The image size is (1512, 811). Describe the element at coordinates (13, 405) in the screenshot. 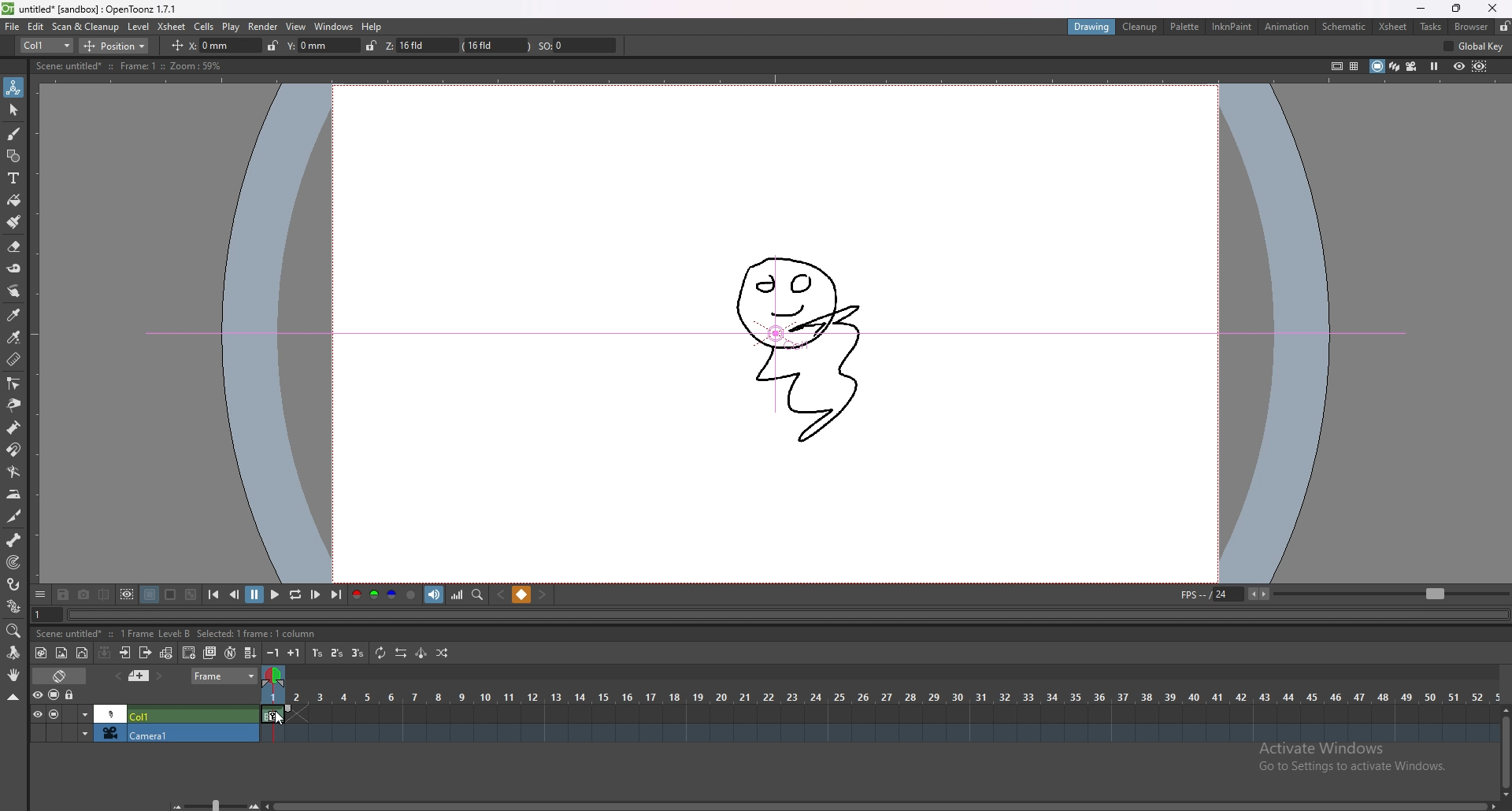

I see `pinch` at that location.